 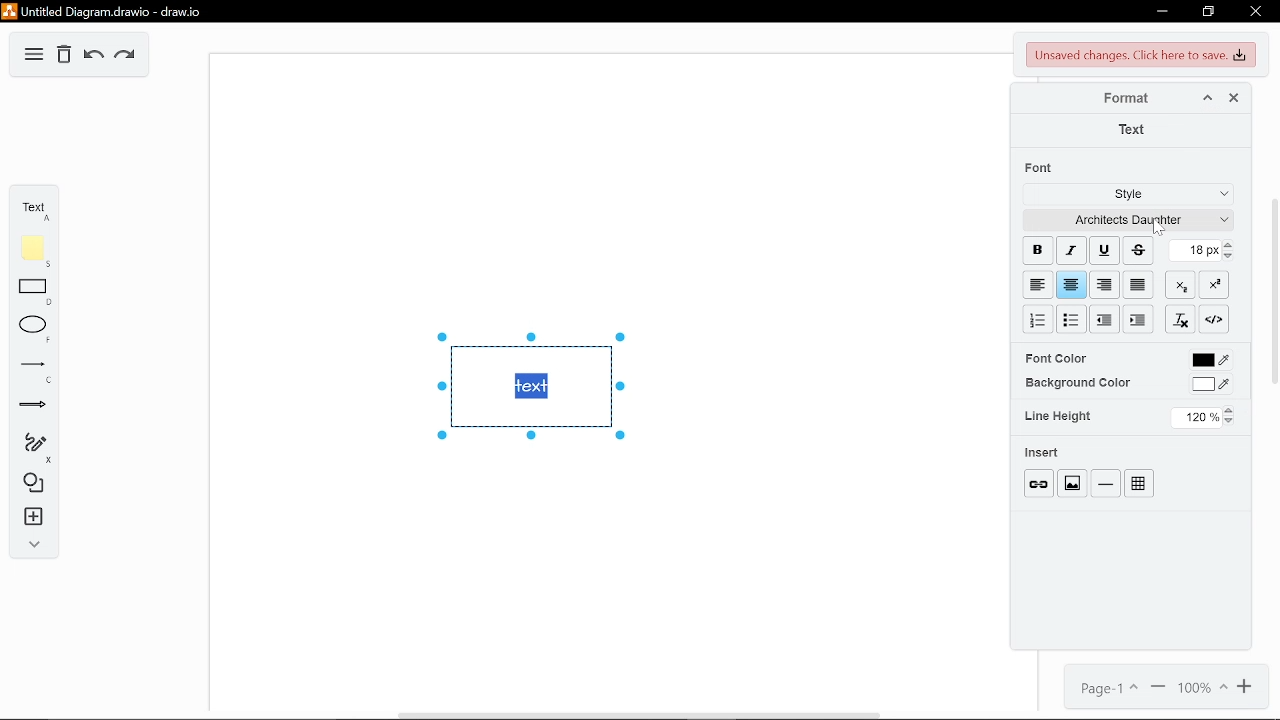 I want to click on arrows, so click(x=30, y=407).